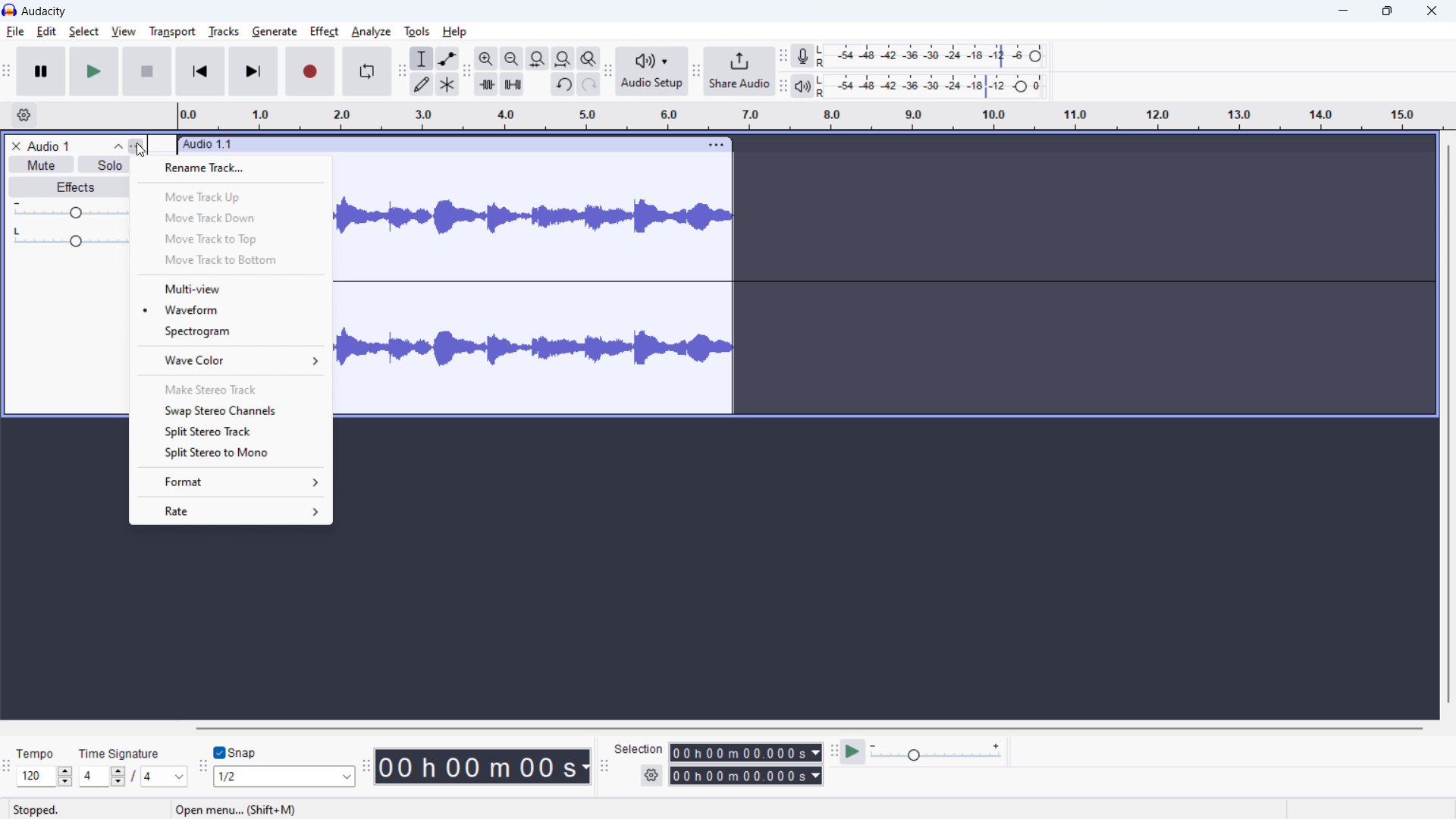  I want to click on fit project to width, so click(563, 58).